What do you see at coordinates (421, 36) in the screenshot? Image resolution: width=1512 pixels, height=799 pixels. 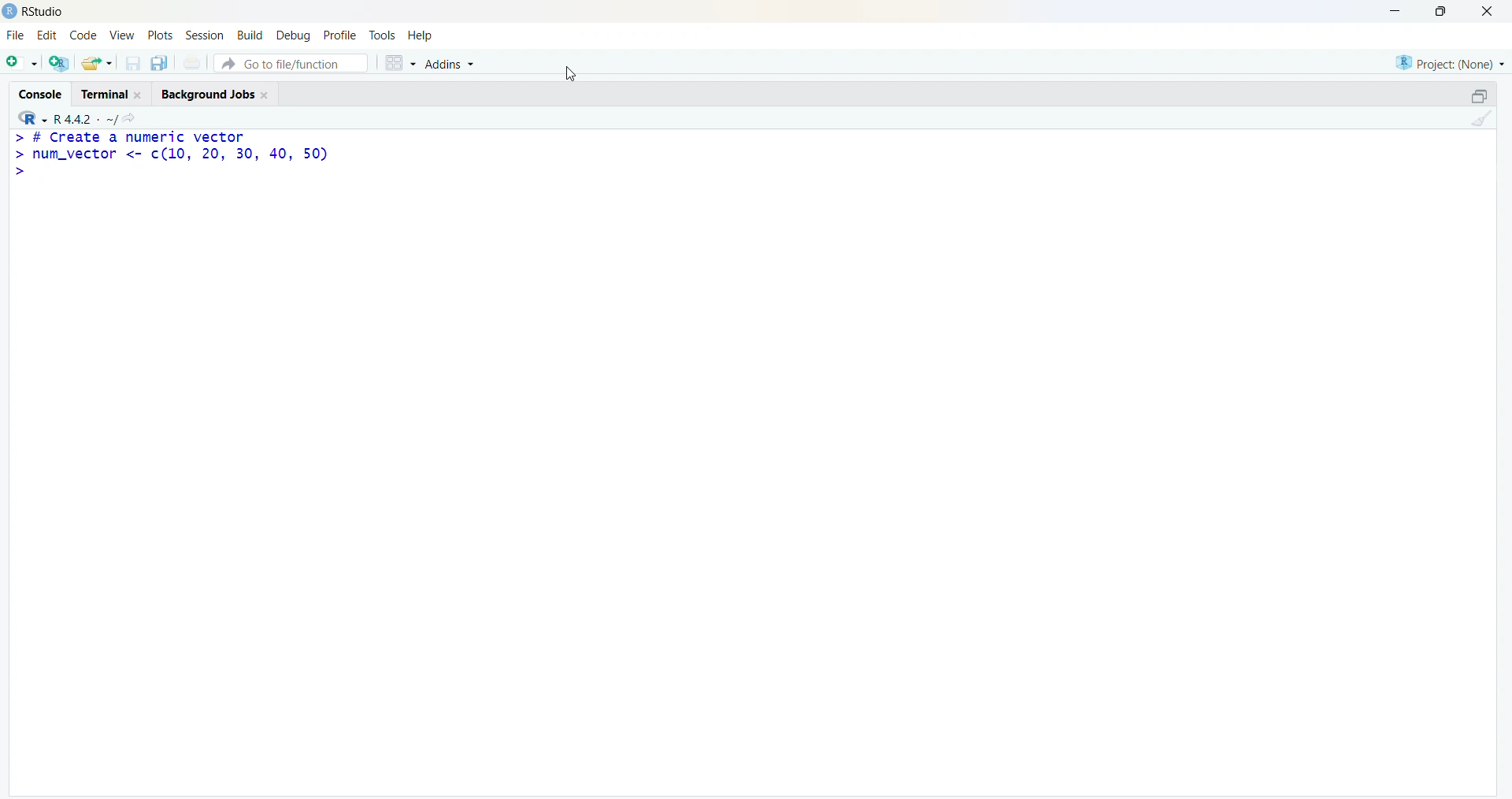 I see `help` at bounding box center [421, 36].